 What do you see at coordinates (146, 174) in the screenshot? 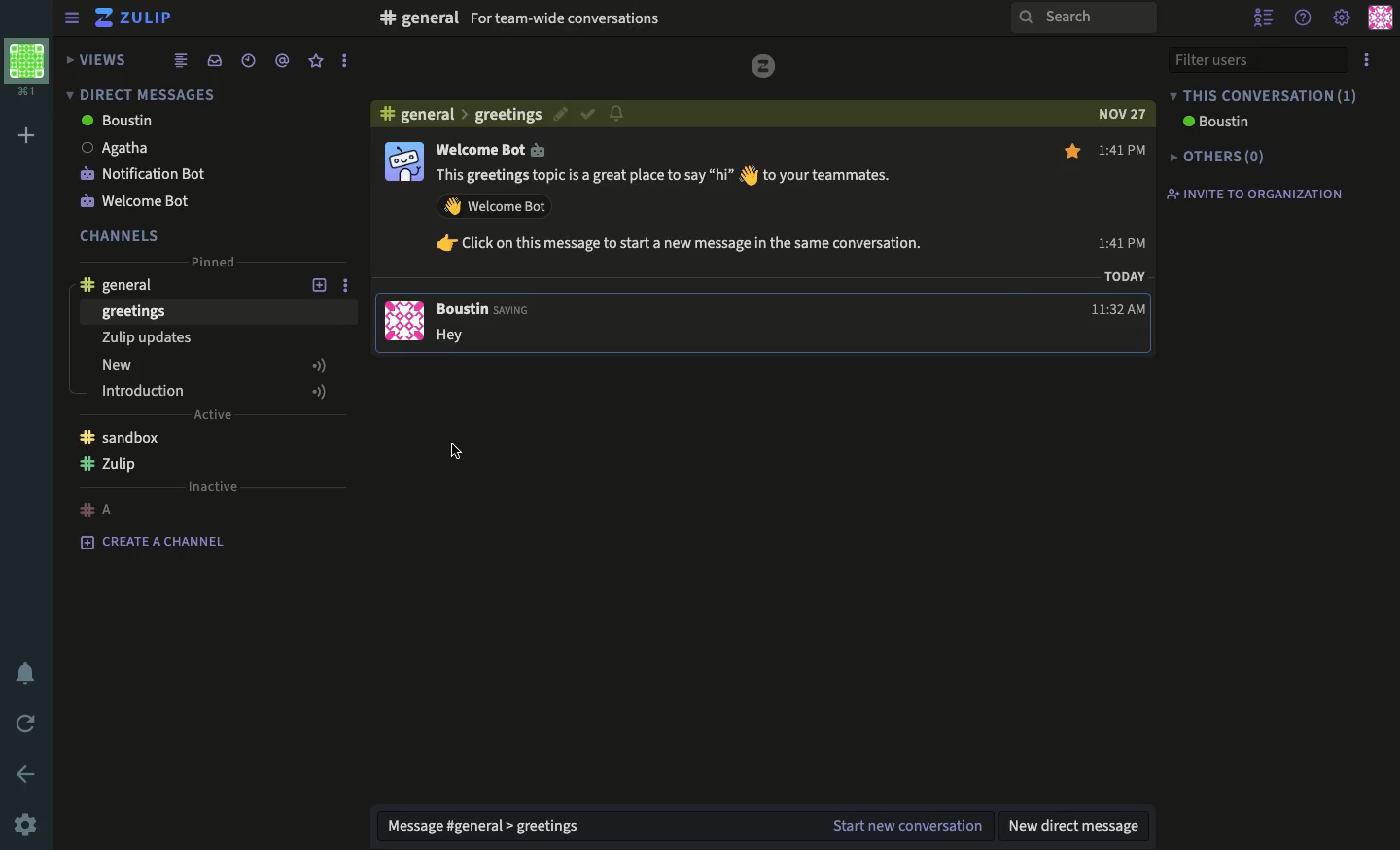
I see `Notification Bot` at bounding box center [146, 174].